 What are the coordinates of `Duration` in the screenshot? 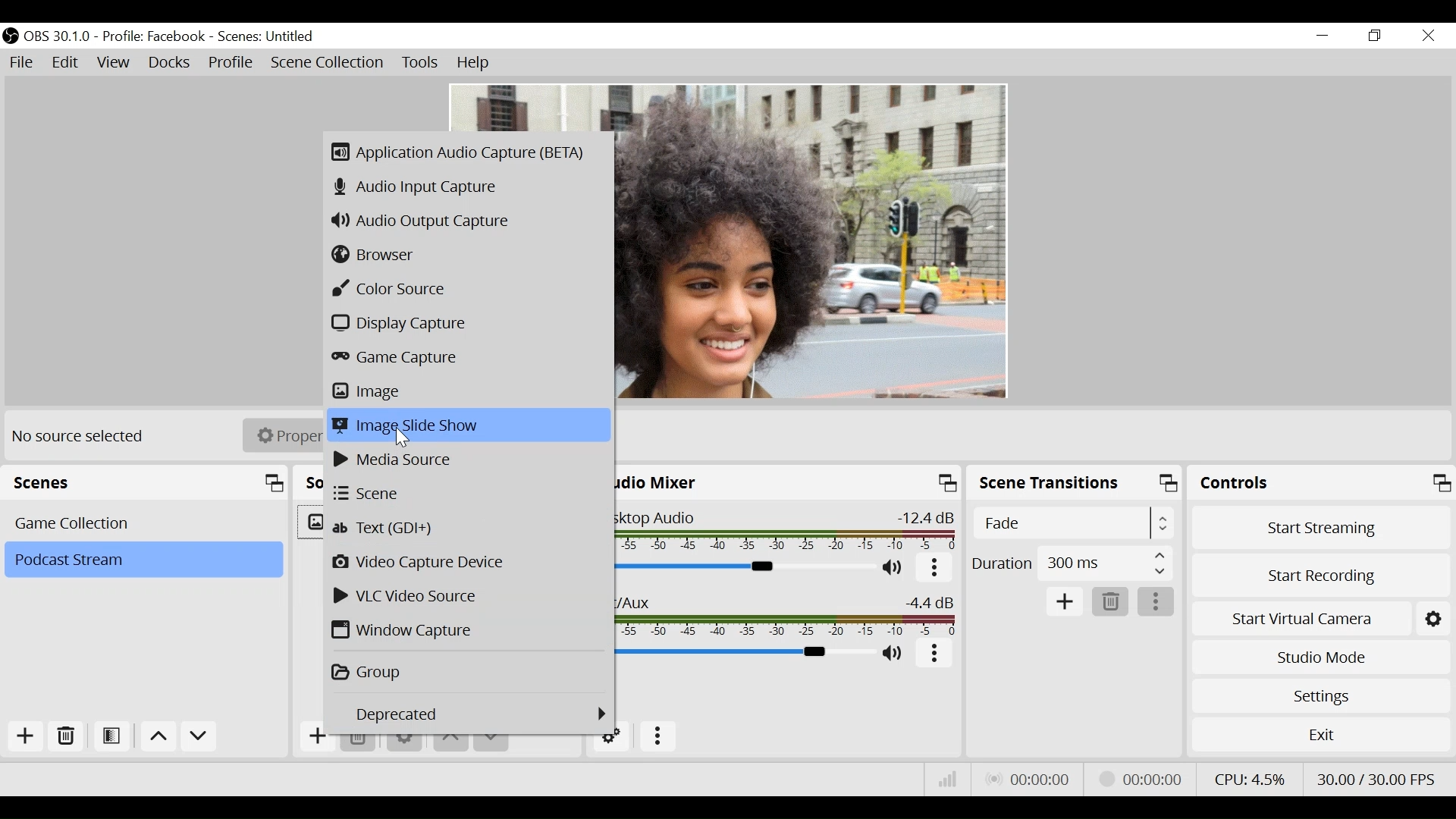 It's located at (1072, 566).